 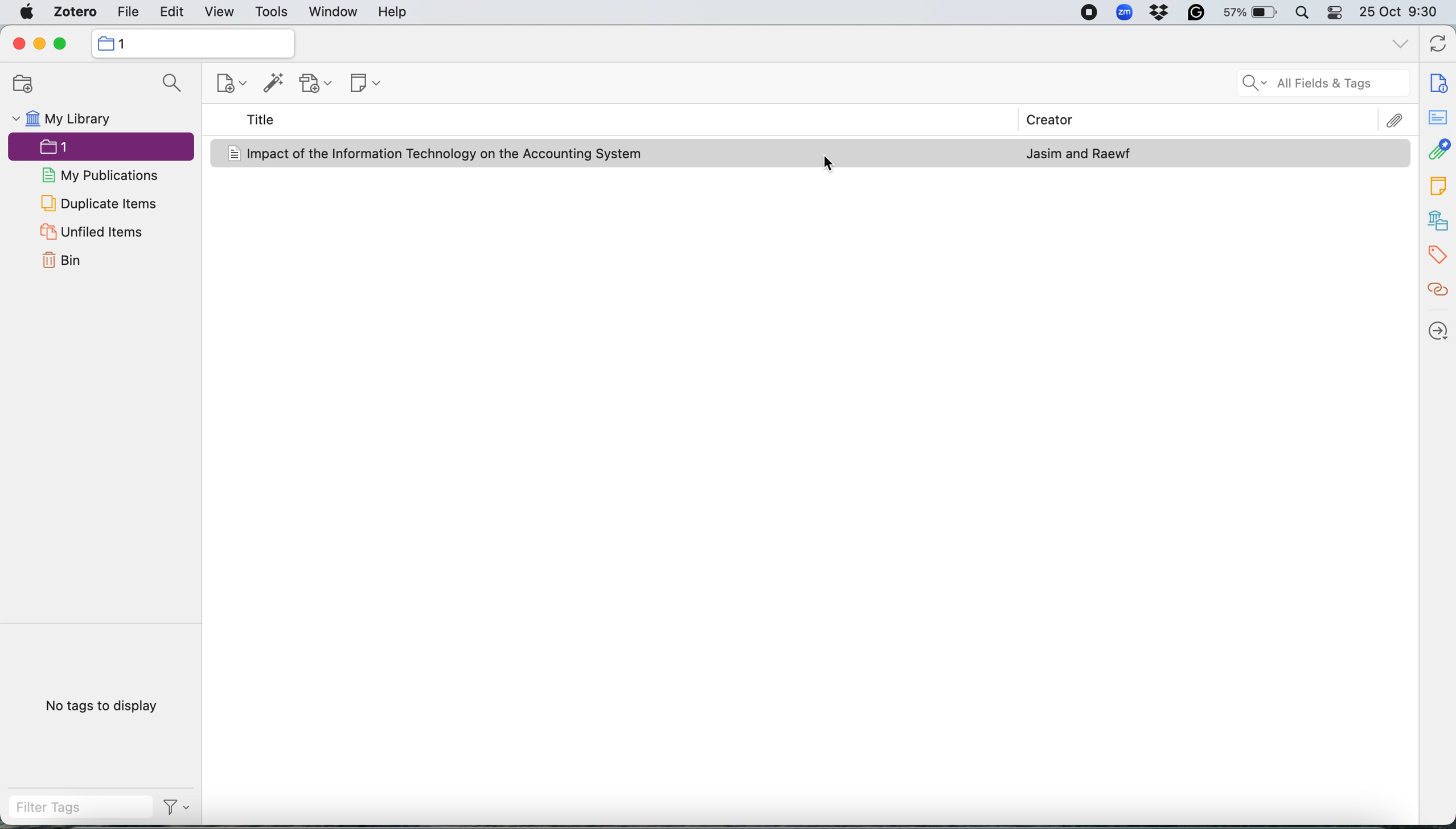 What do you see at coordinates (446, 154) in the screenshot?
I see `Impact of the Information Technology on the Accounting System` at bounding box center [446, 154].